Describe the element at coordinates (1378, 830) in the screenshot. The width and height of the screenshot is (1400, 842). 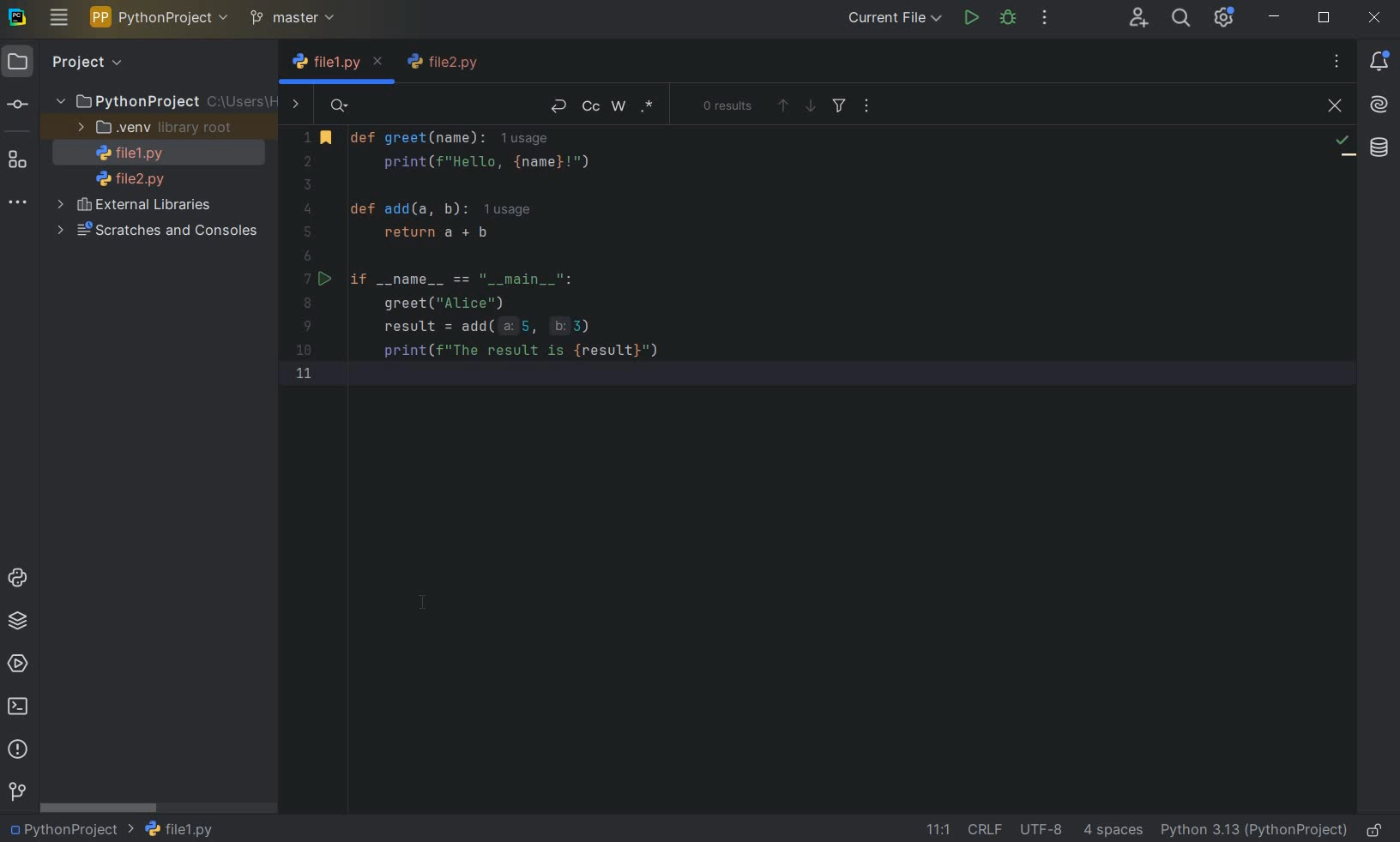
I see `MAKE FILE READY ONLY` at that location.